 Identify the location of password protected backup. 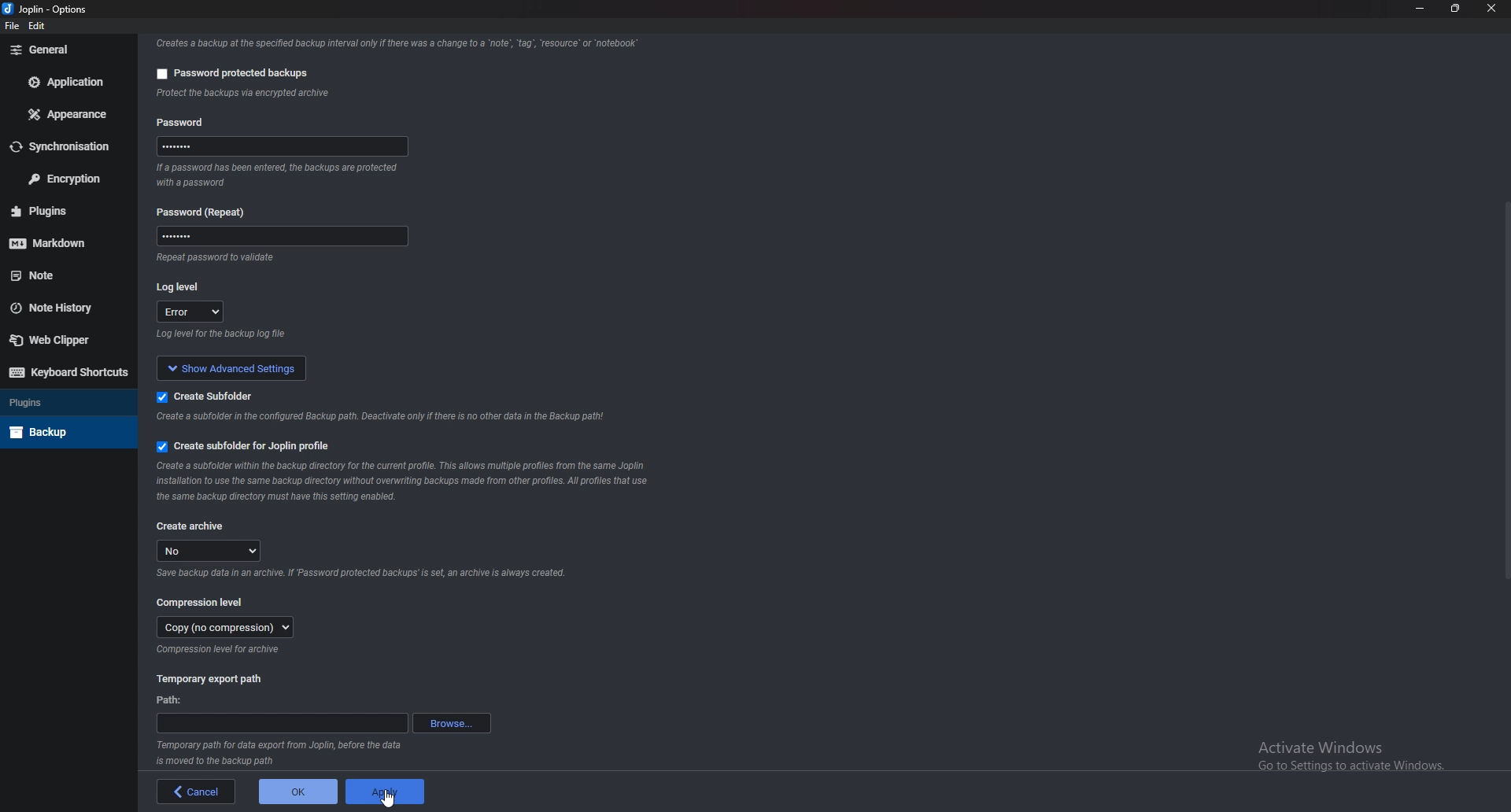
(228, 71).